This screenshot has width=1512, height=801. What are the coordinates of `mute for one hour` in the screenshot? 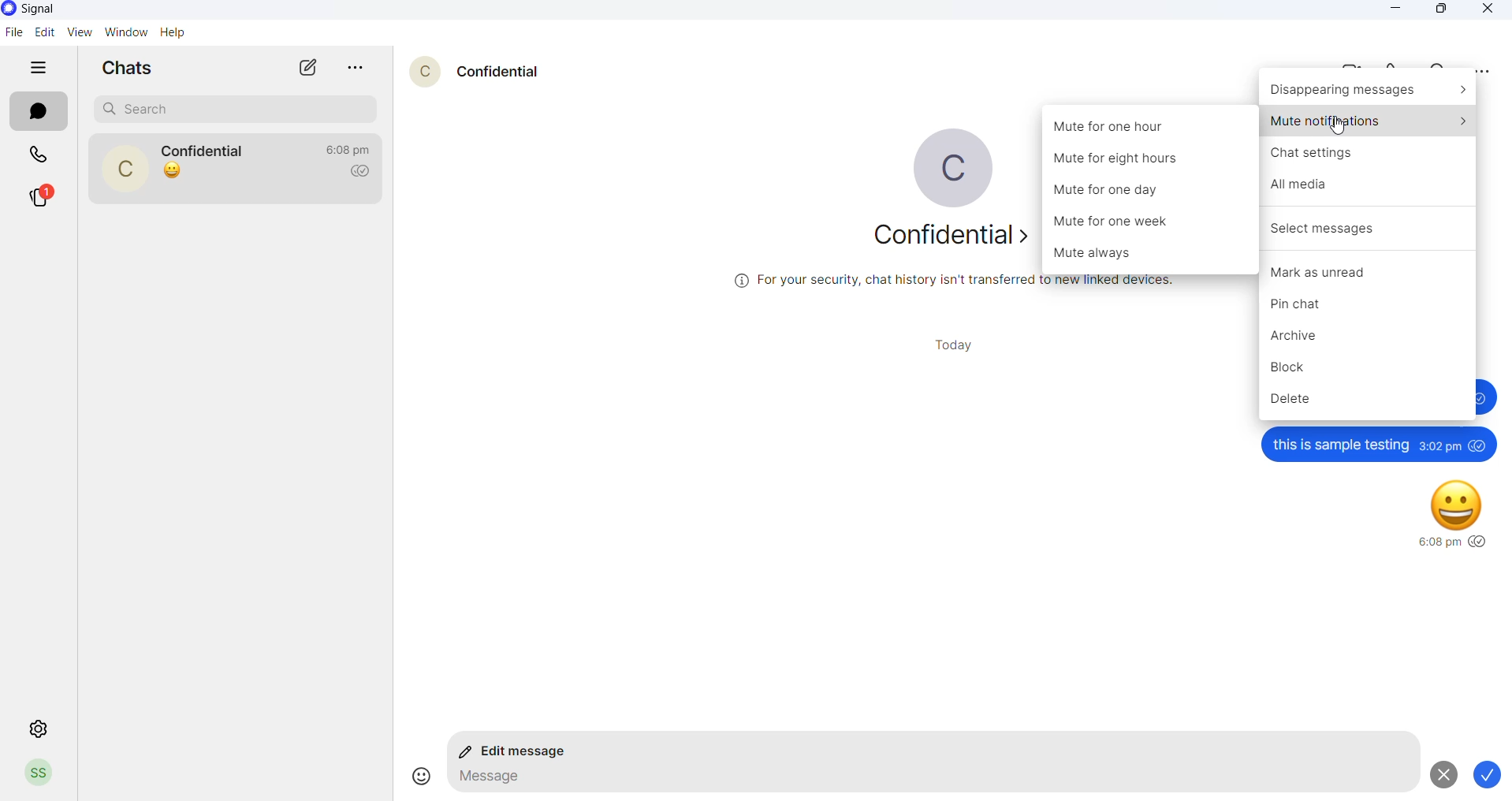 It's located at (1152, 126).